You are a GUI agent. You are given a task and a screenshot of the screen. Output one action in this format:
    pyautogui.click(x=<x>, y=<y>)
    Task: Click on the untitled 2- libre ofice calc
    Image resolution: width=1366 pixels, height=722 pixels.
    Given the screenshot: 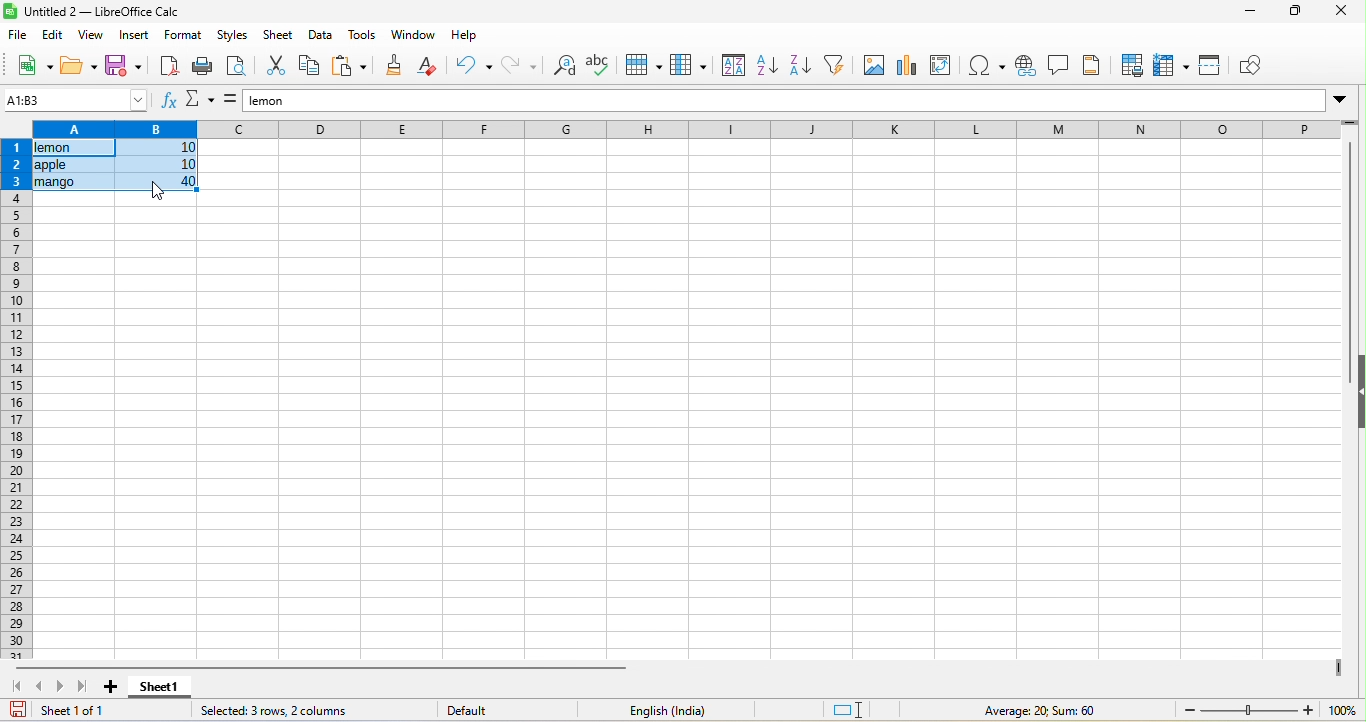 What is the action you would take?
    pyautogui.click(x=109, y=13)
    